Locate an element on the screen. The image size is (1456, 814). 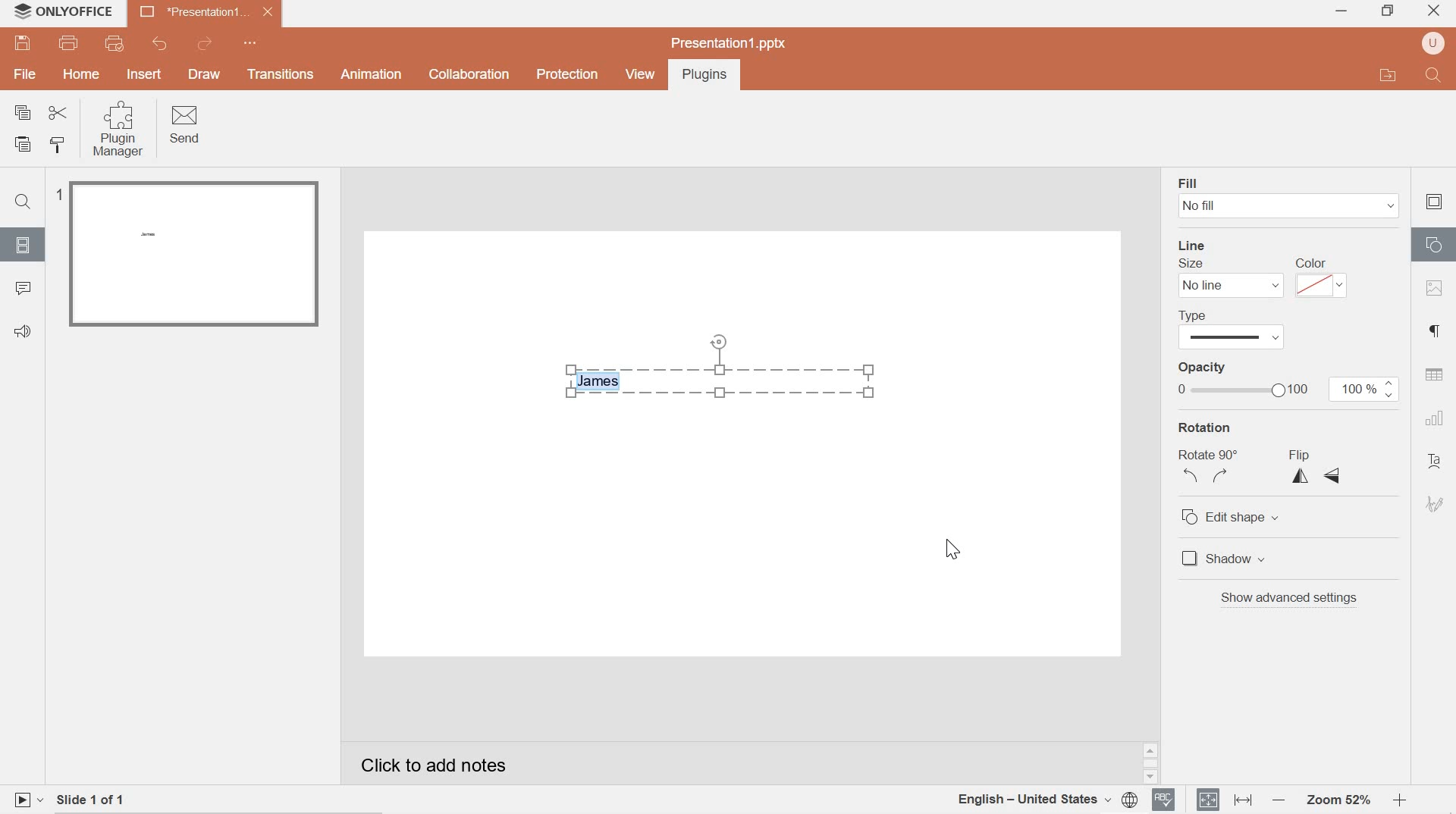
quick access toolbar is located at coordinates (253, 43).